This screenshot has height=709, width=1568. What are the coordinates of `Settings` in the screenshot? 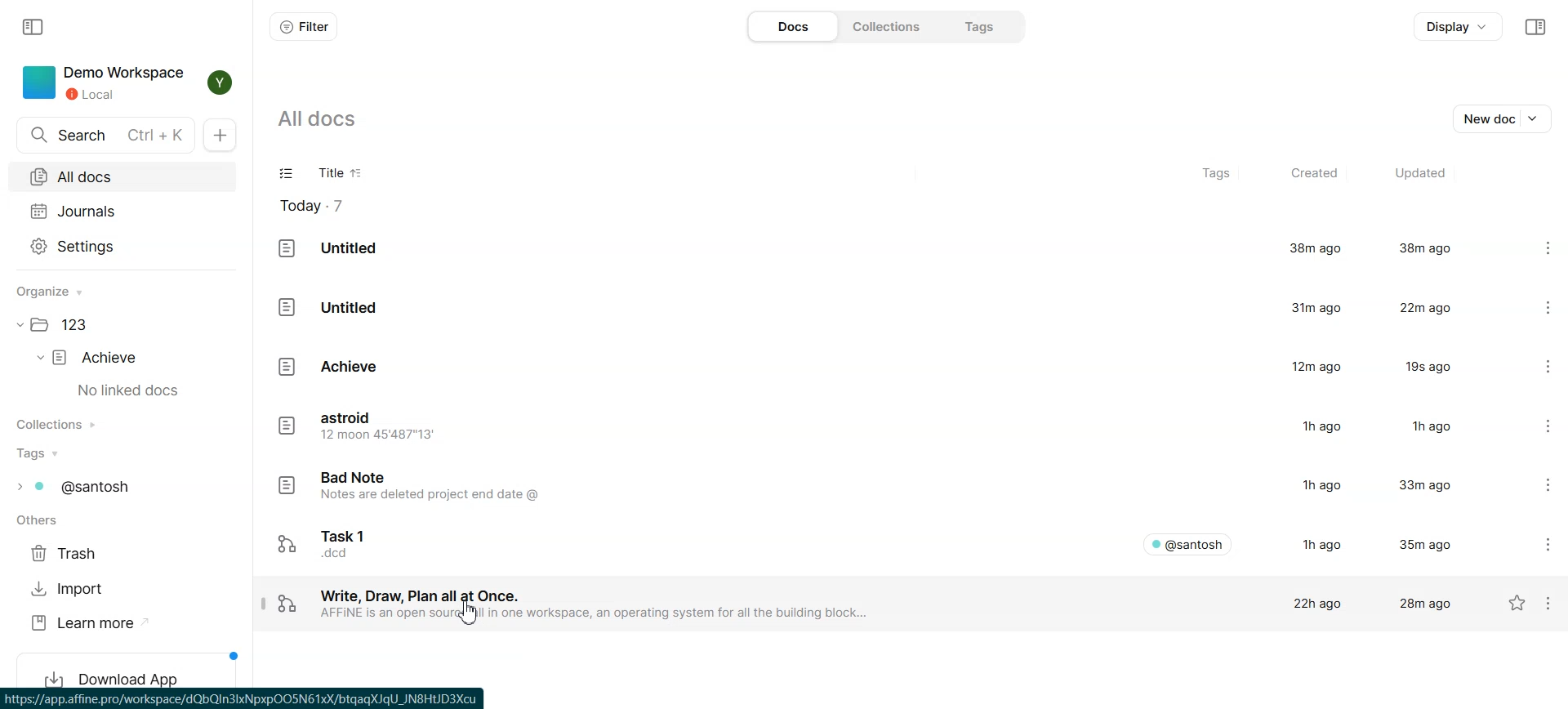 It's located at (1532, 249).